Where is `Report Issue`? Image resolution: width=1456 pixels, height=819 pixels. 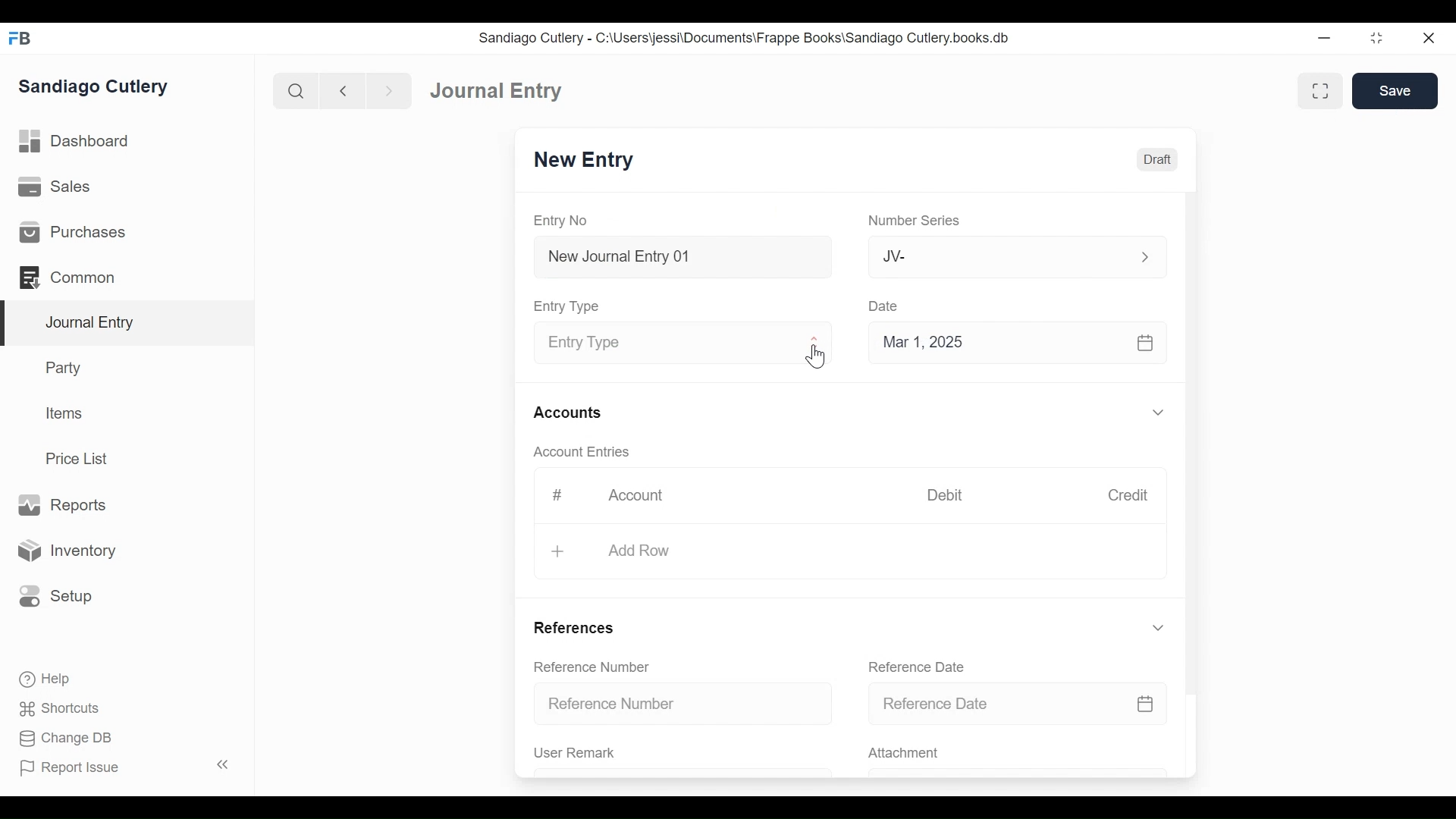 Report Issue is located at coordinates (76, 769).